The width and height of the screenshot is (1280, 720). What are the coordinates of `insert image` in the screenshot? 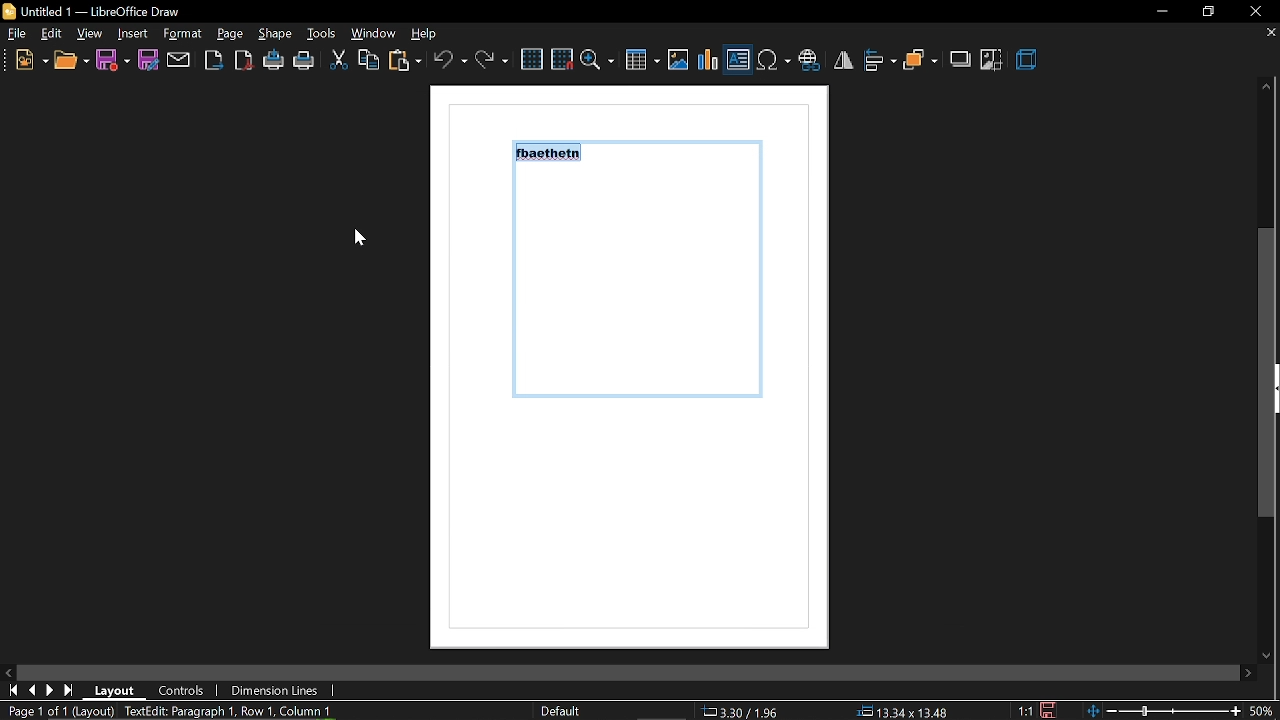 It's located at (679, 59).